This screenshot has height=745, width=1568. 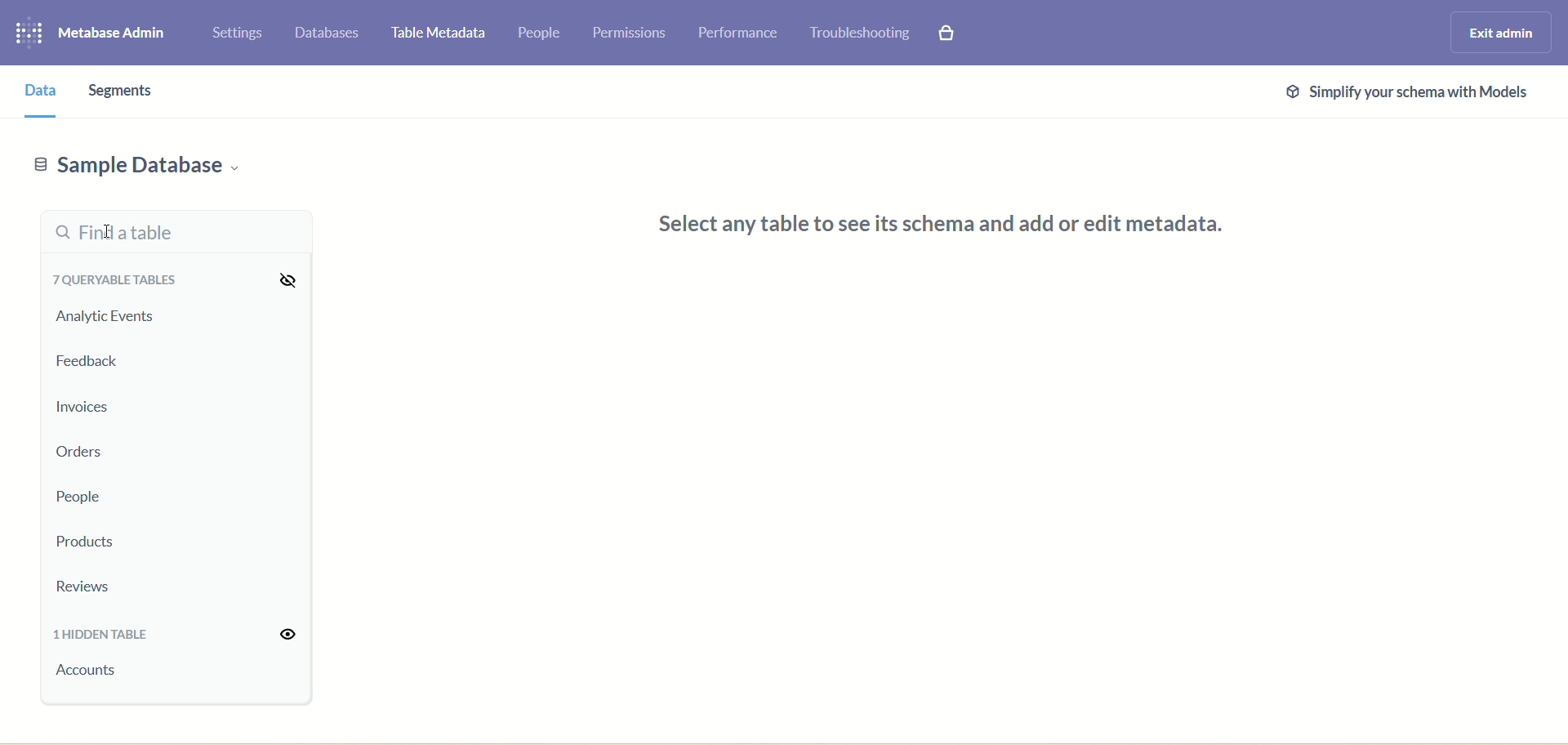 I want to click on find a table, so click(x=173, y=230).